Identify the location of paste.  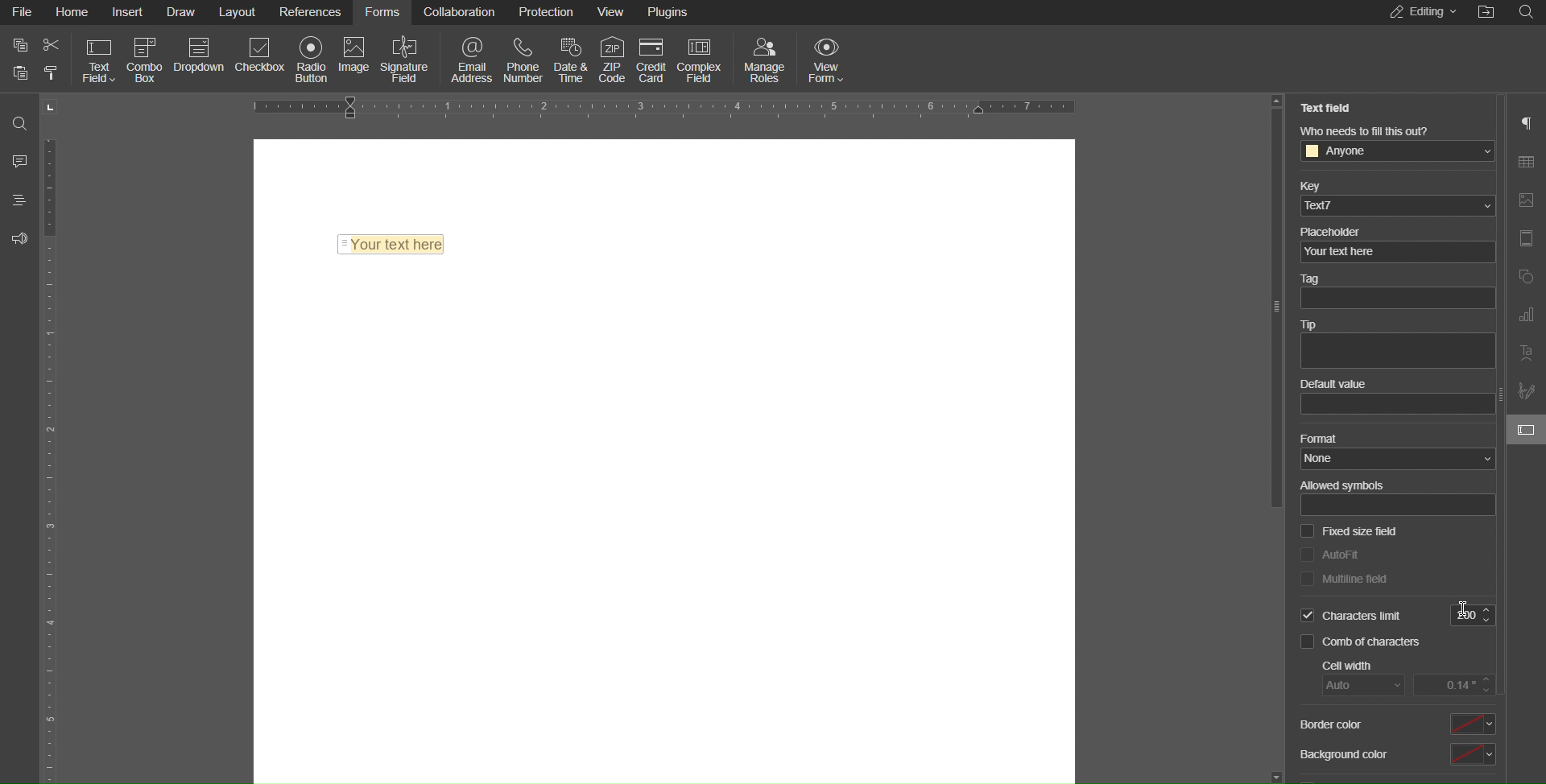
(21, 72).